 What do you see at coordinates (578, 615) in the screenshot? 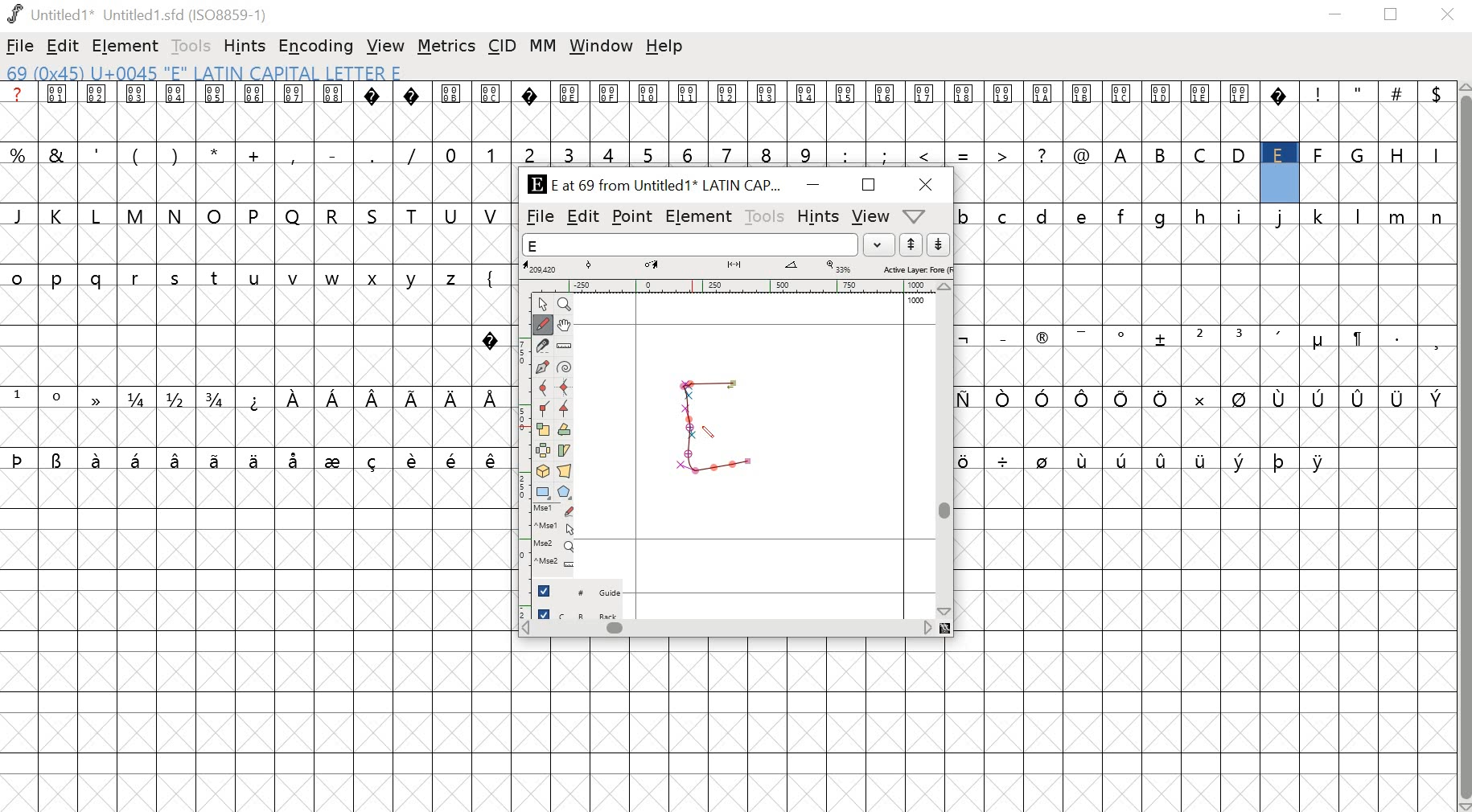
I see `back layer` at bounding box center [578, 615].